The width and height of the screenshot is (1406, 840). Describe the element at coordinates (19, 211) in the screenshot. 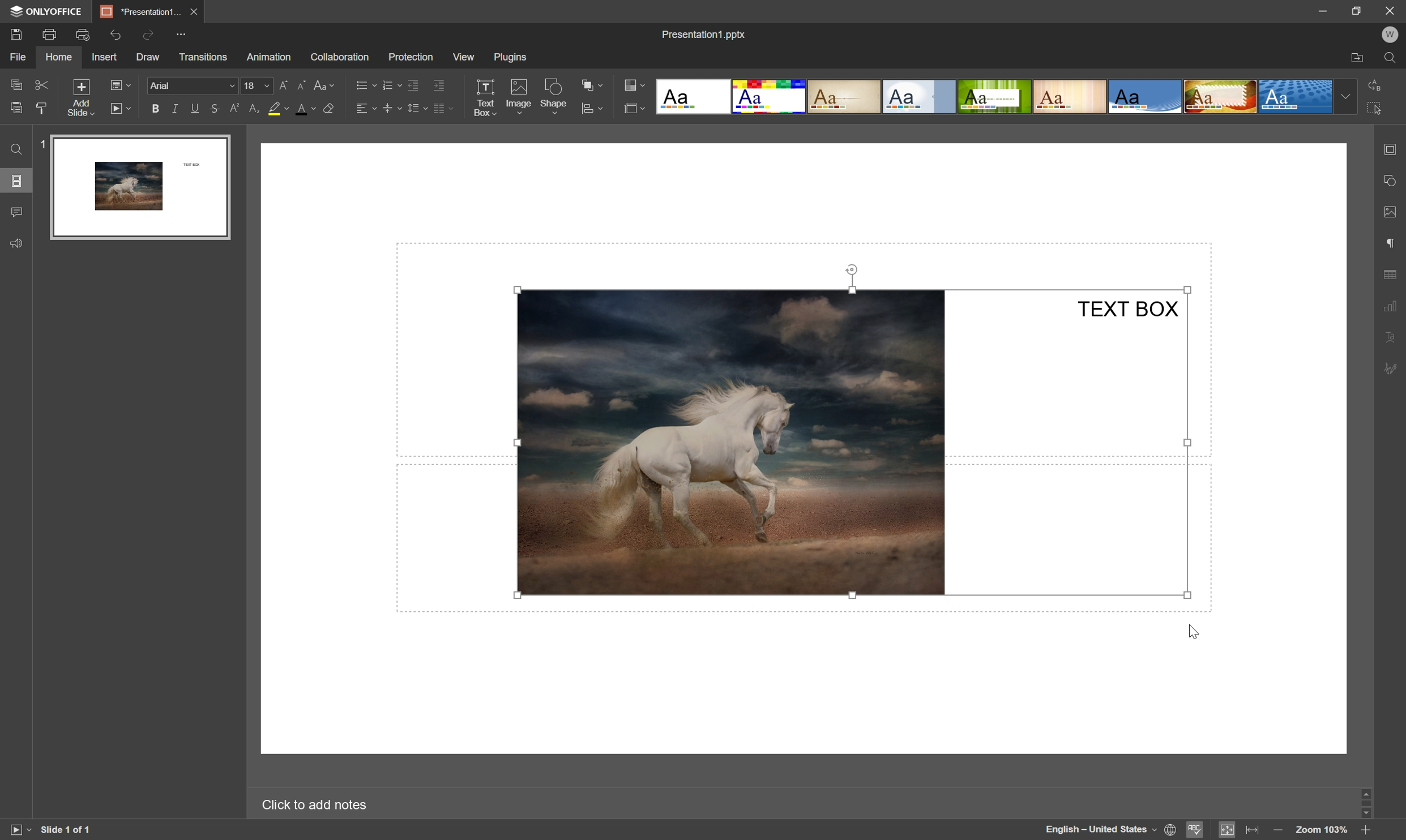

I see `comments` at that location.